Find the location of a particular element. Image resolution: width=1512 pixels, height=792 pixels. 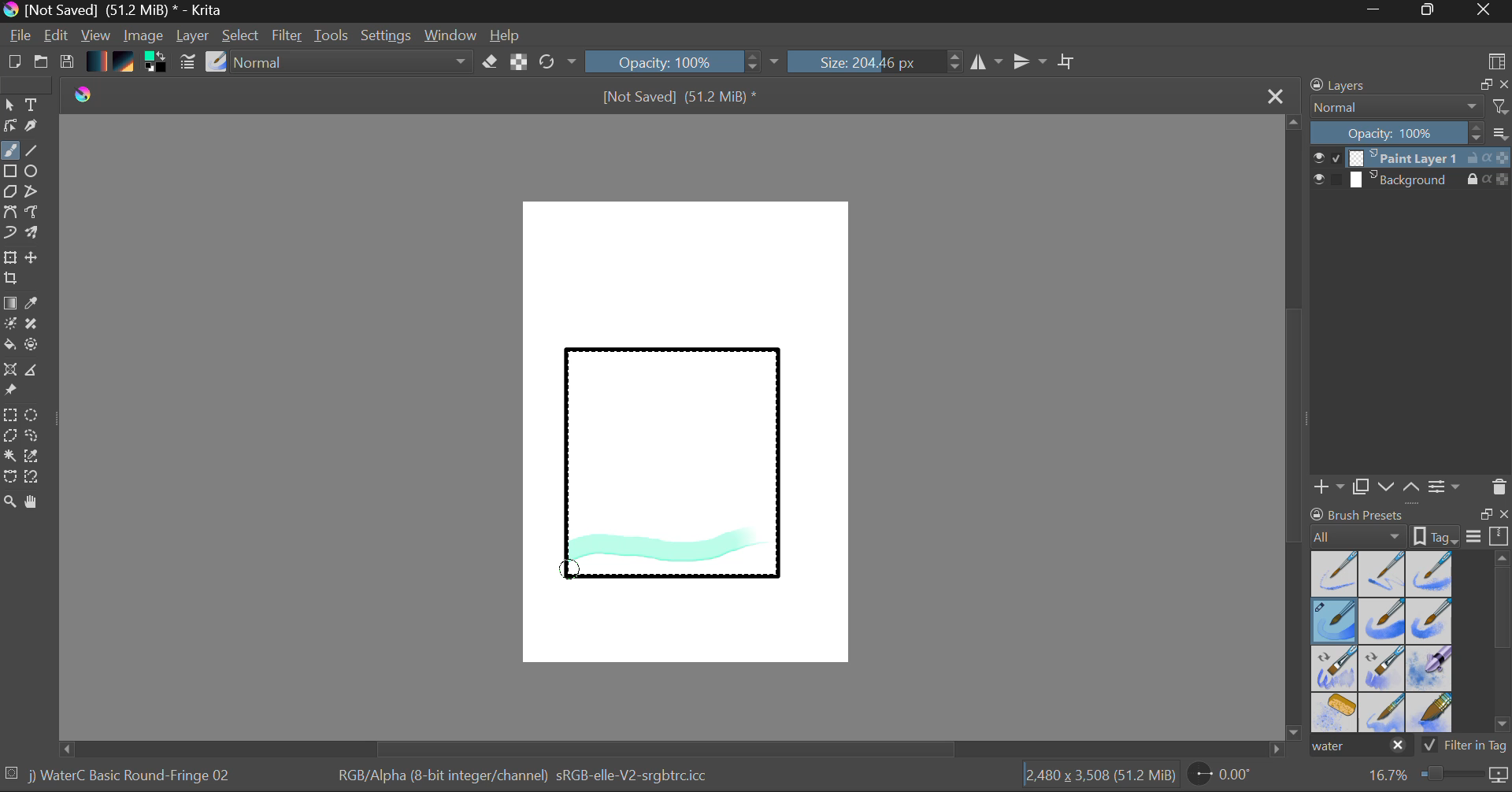

Scroll Bar is located at coordinates (1503, 645).